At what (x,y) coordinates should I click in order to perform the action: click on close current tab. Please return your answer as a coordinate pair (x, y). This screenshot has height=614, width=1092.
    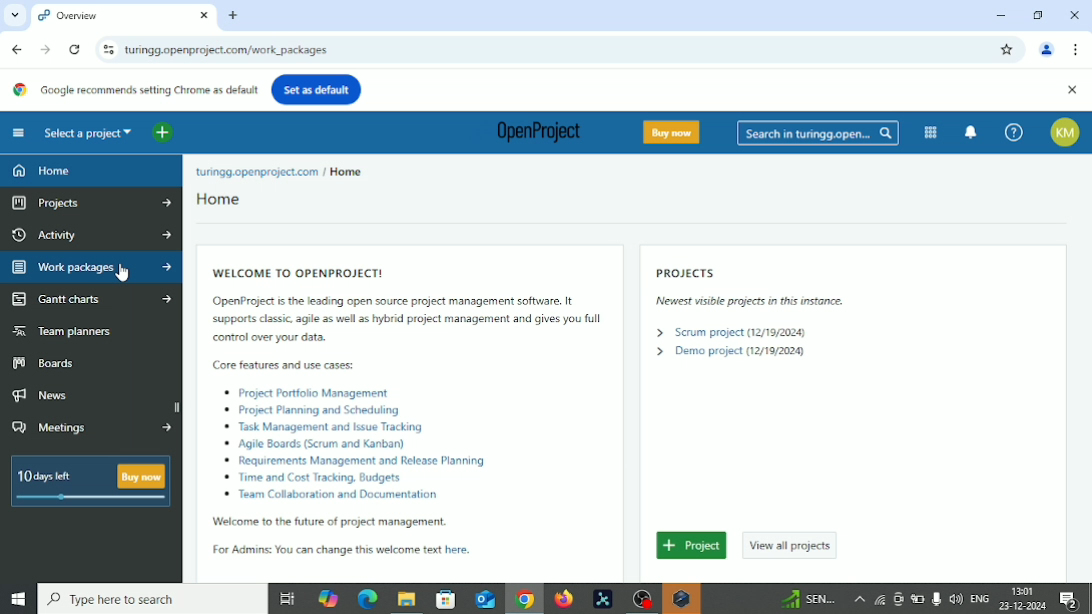
    Looking at the image, I should click on (203, 17).